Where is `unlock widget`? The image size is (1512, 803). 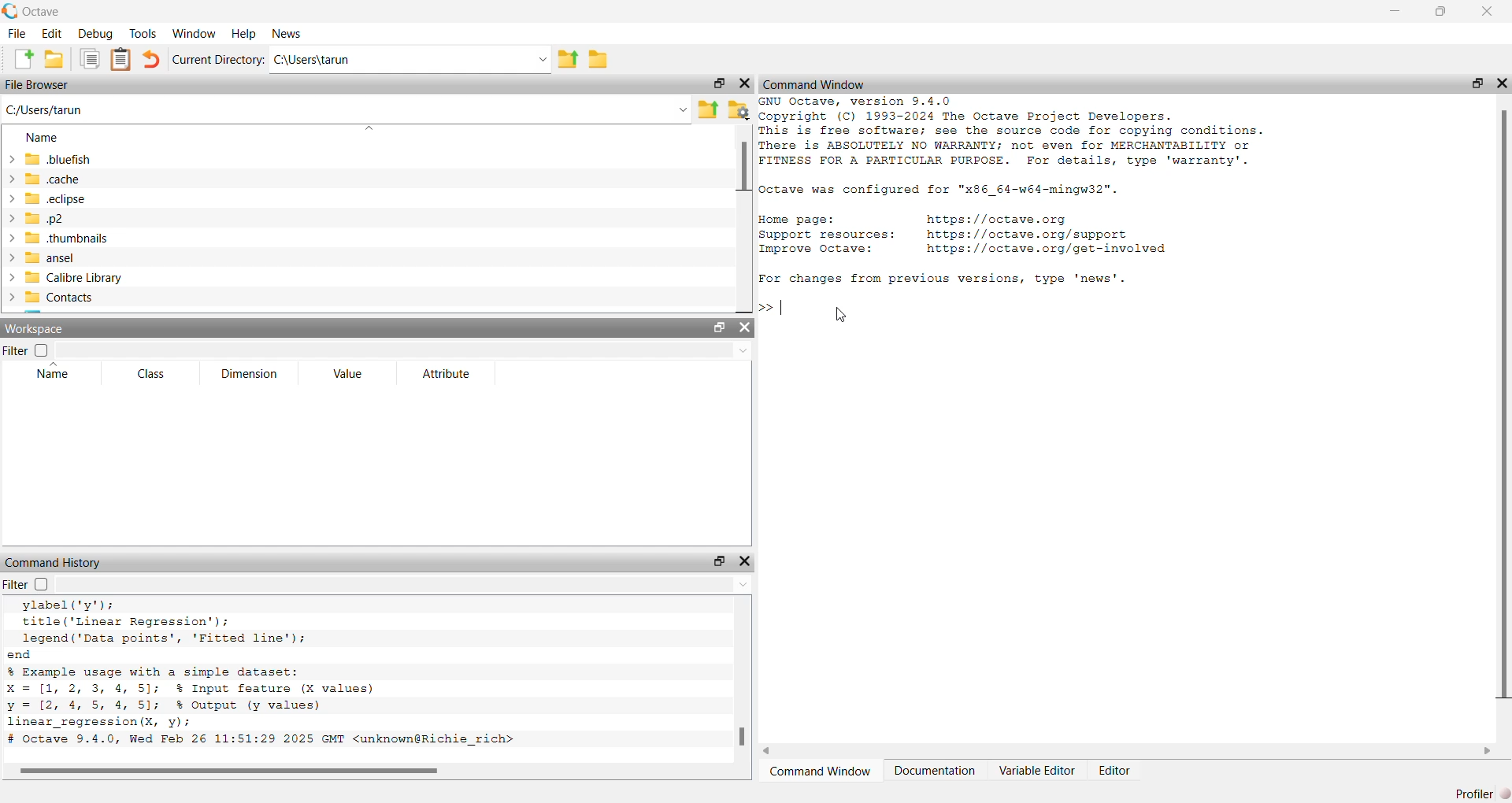
unlock widget is located at coordinates (721, 327).